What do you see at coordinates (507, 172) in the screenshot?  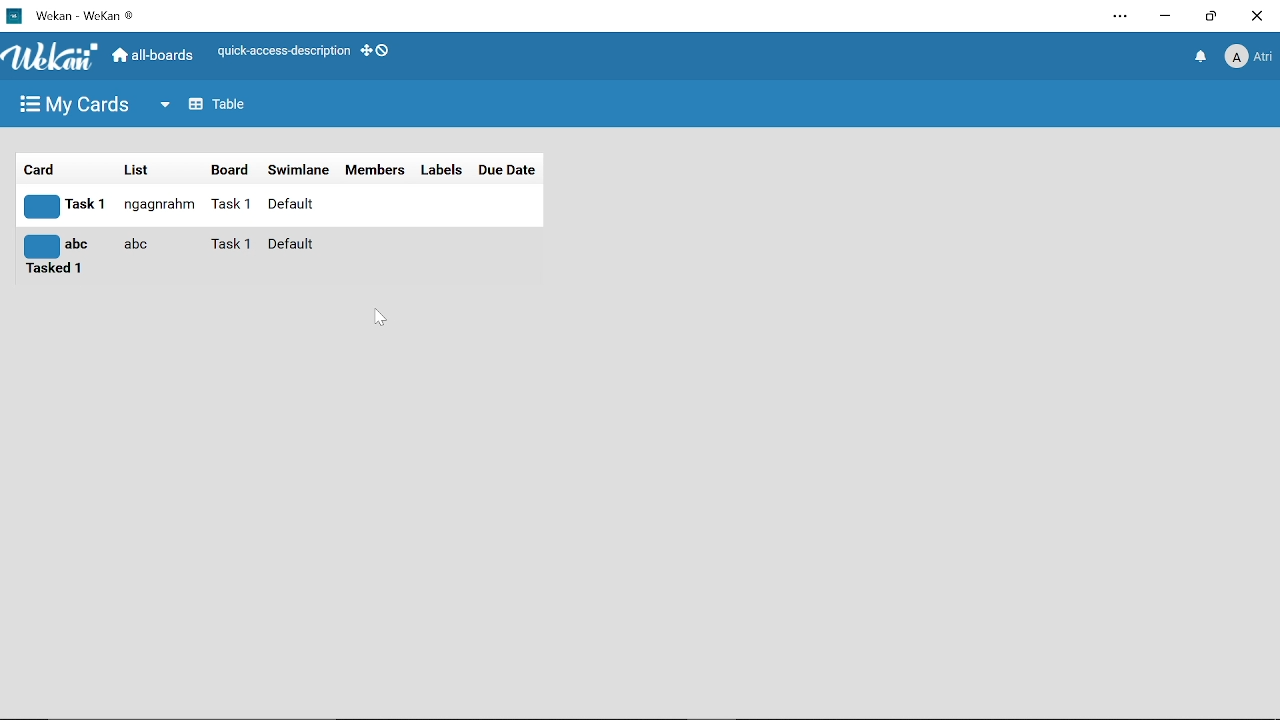 I see `Due date` at bounding box center [507, 172].